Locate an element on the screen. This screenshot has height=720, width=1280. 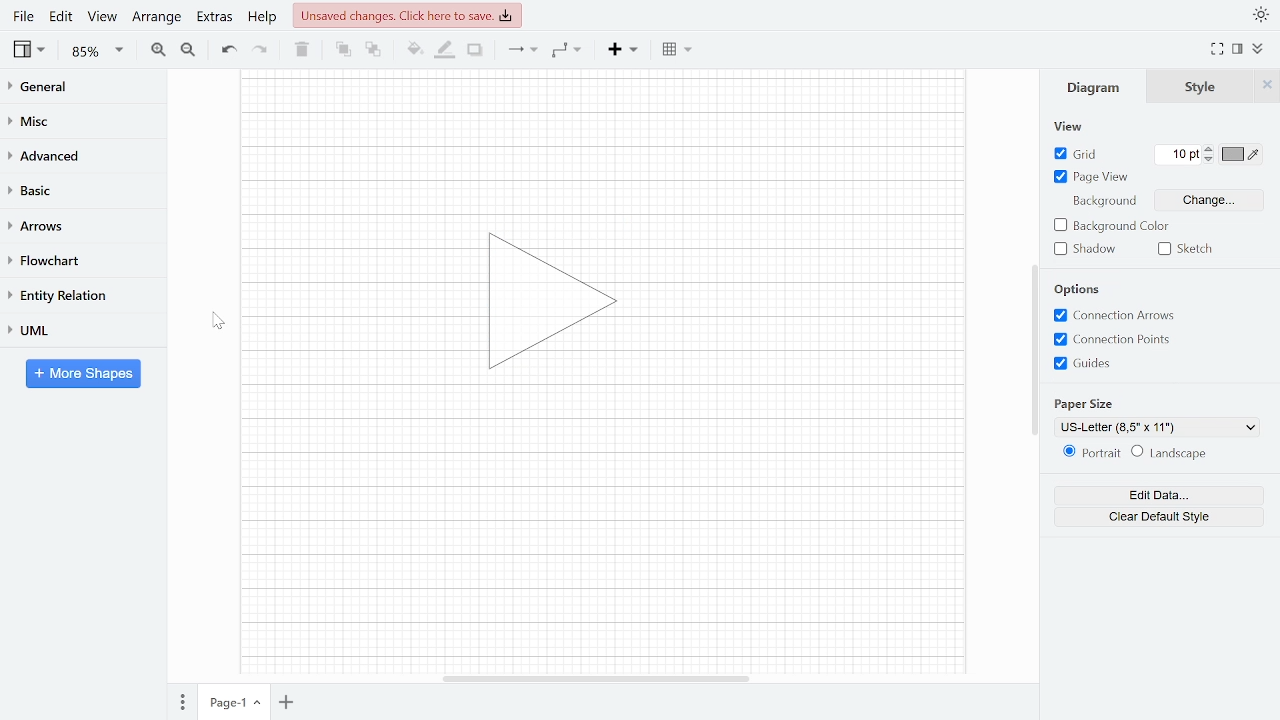
Background Color is located at coordinates (1106, 225).